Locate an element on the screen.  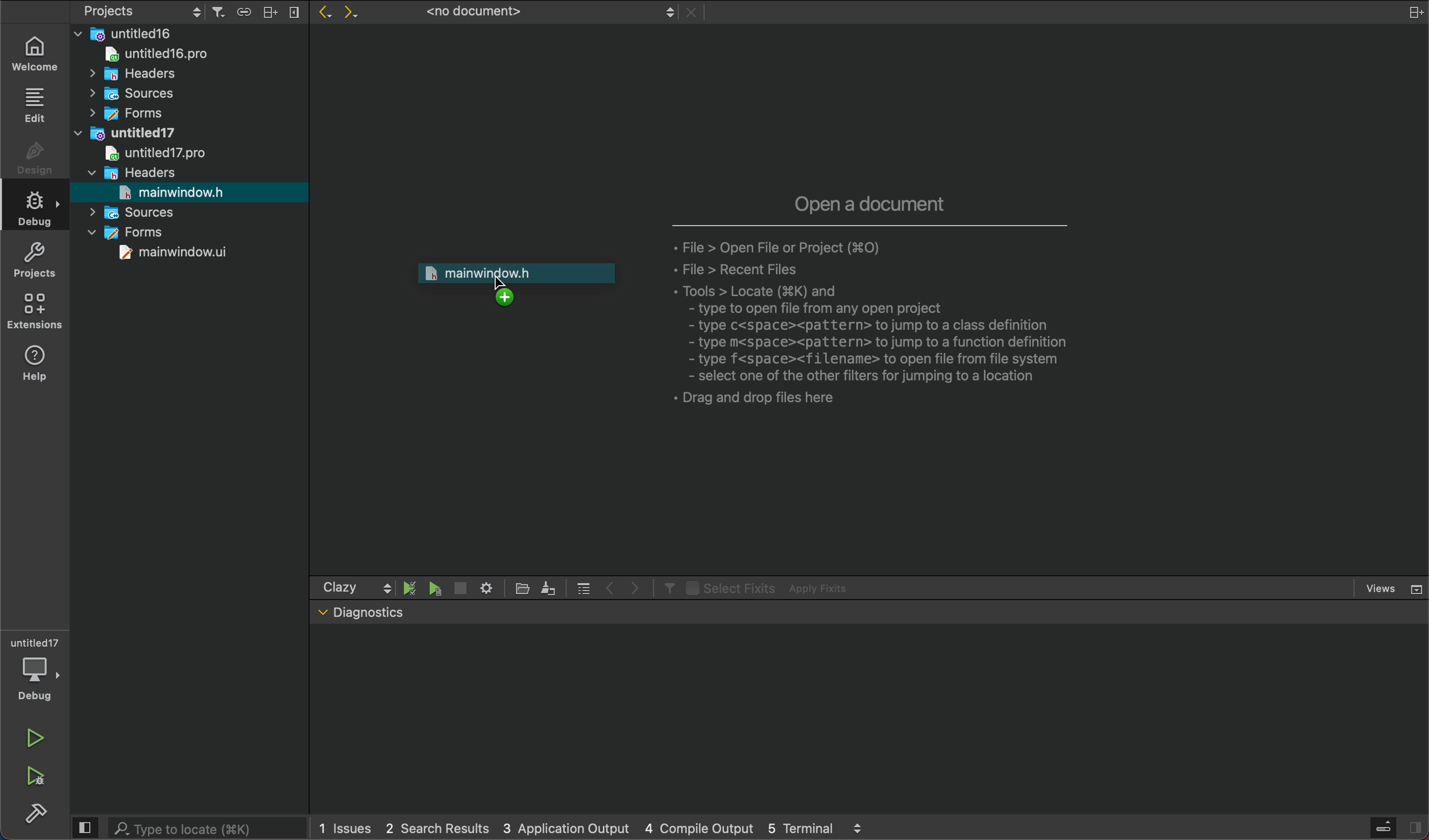
file is located at coordinates (525, 588).